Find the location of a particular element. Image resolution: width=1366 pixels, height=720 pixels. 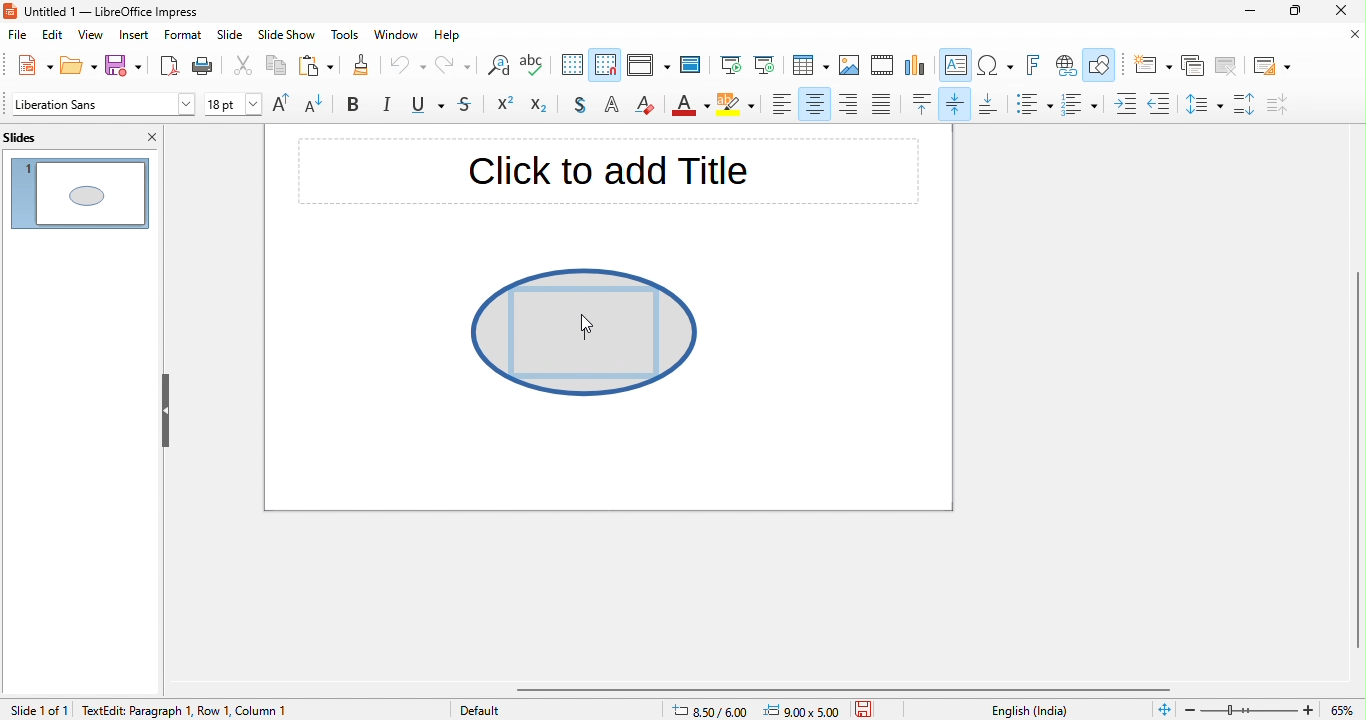

align top is located at coordinates (923, 104).